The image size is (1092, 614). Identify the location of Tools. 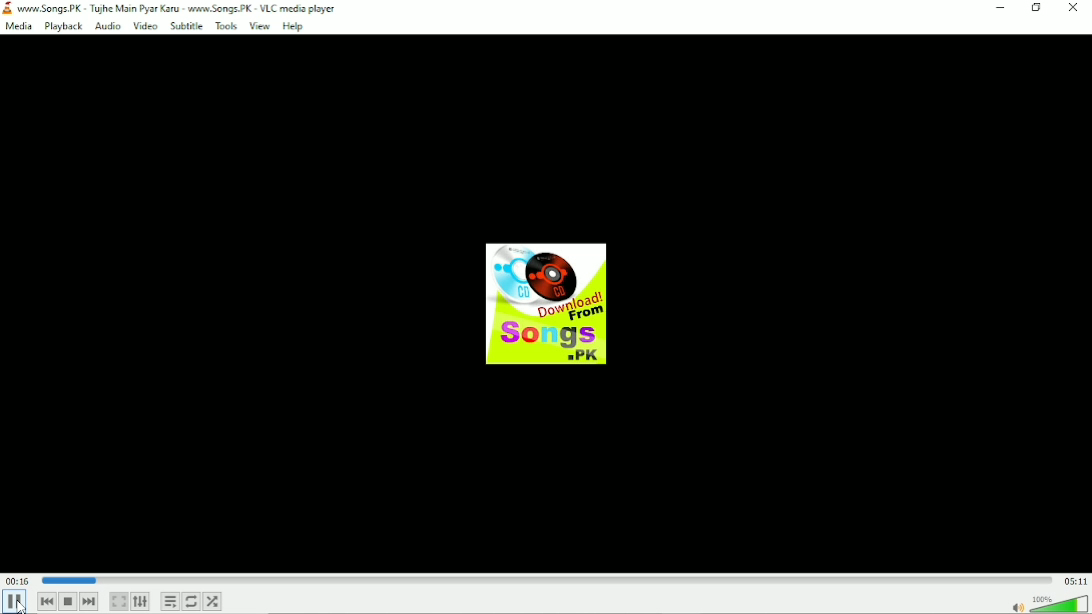
(226, 26).